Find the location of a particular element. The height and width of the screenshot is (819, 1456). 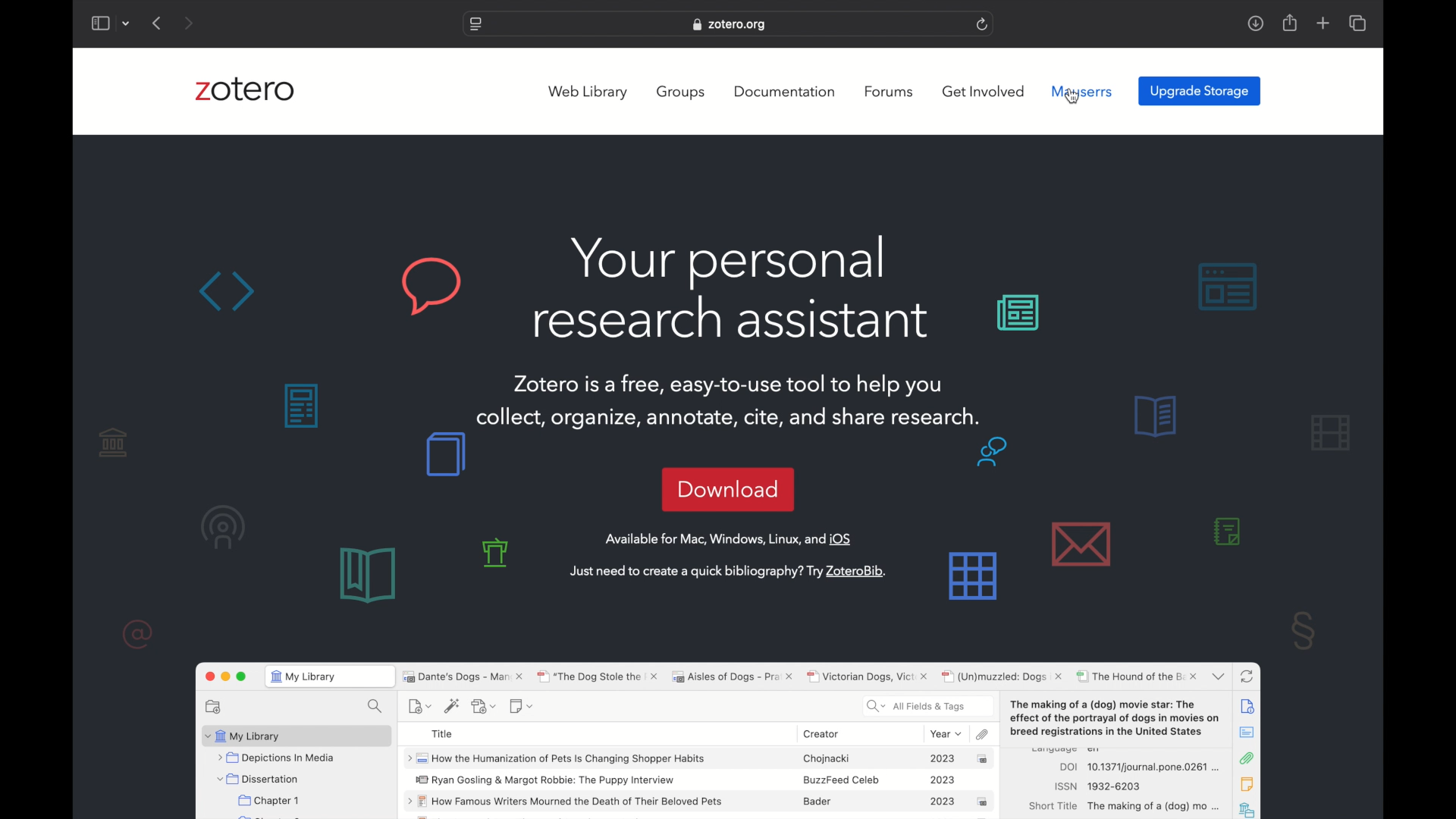

new tab is located at coordinates (1323, 24).